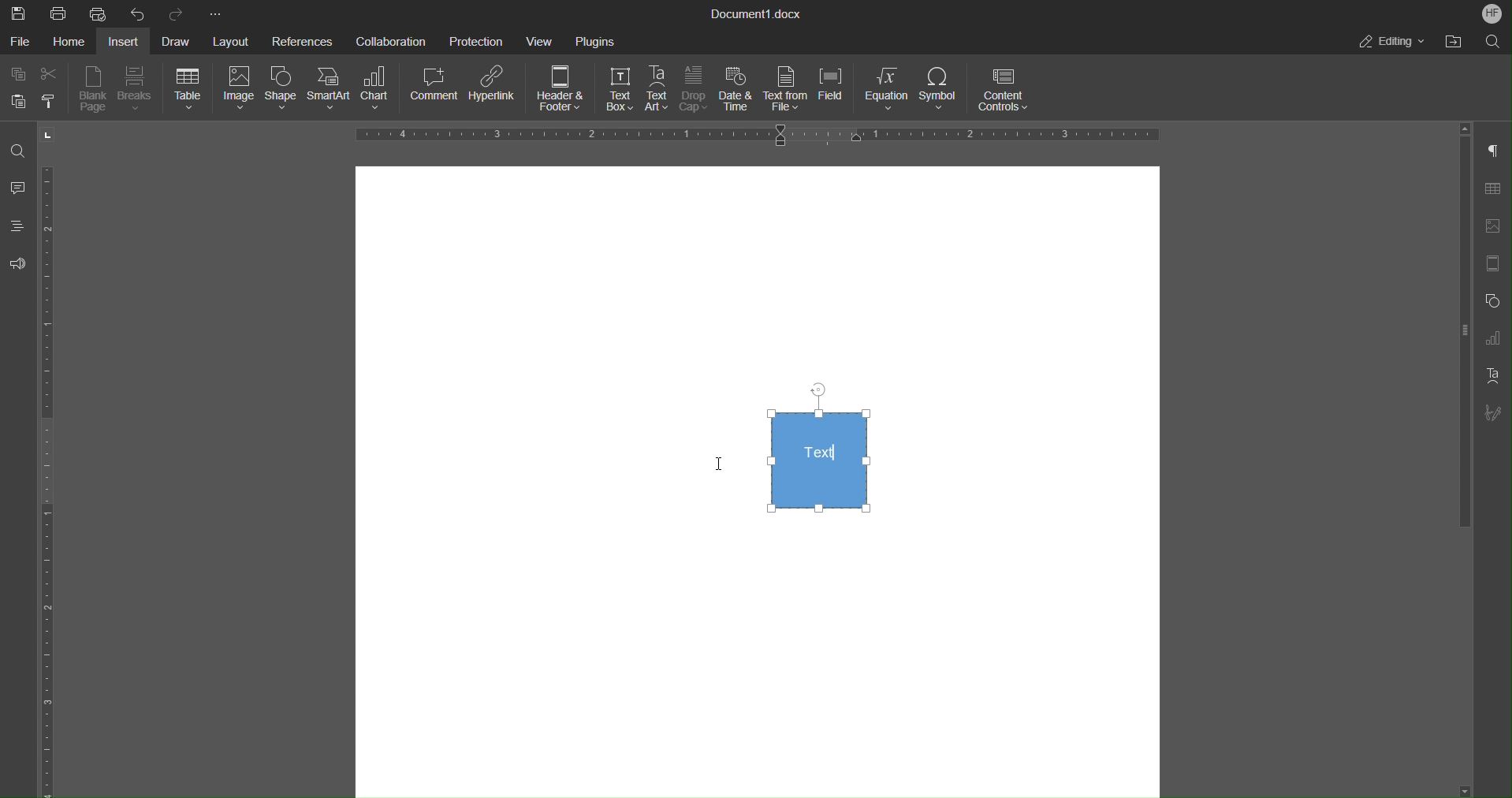 The image size is (1512, 798). I want to click on Home, so click(73, 42).